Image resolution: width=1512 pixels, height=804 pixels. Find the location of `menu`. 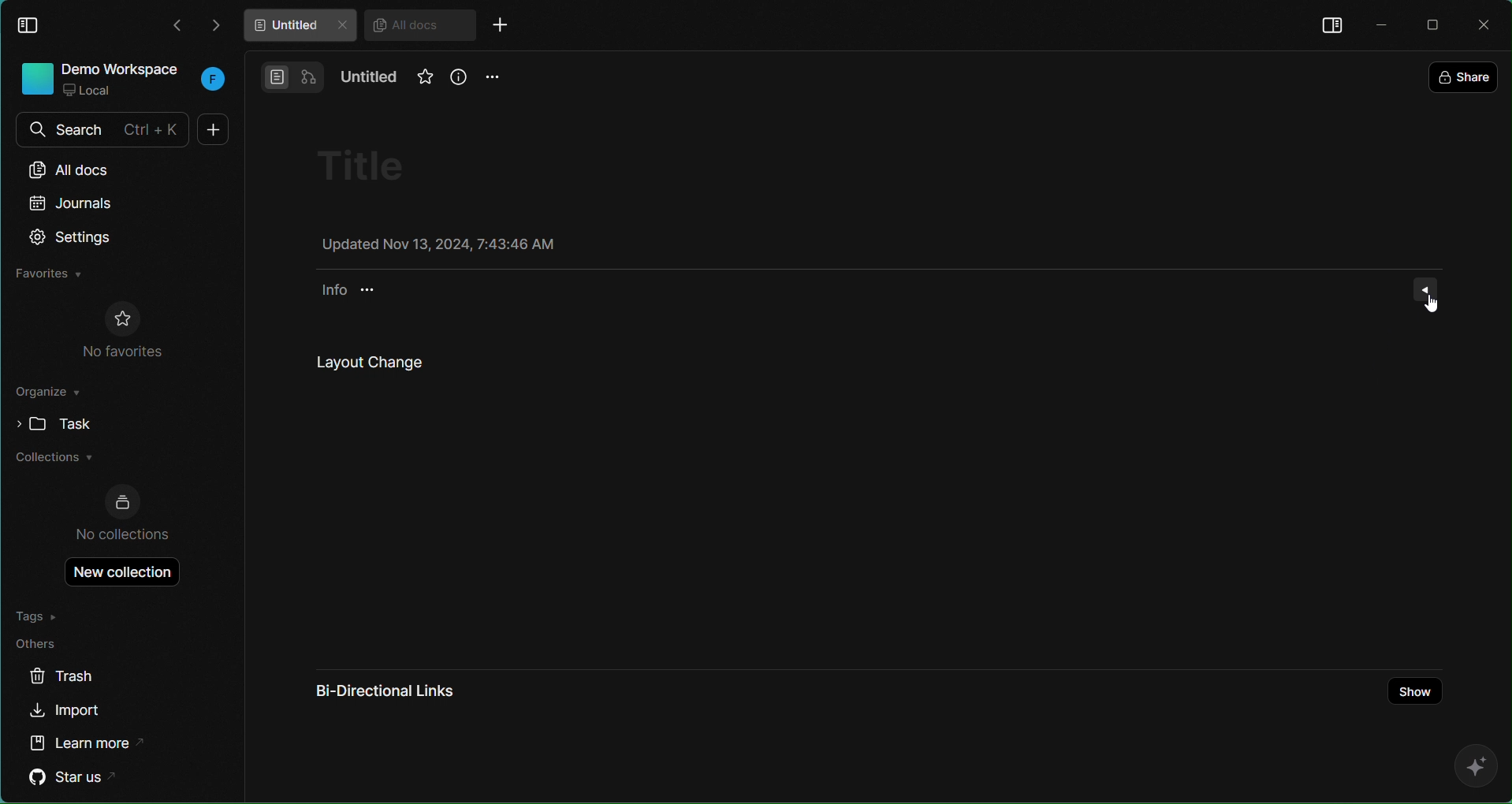

menu is located at coordinates (493, 77).